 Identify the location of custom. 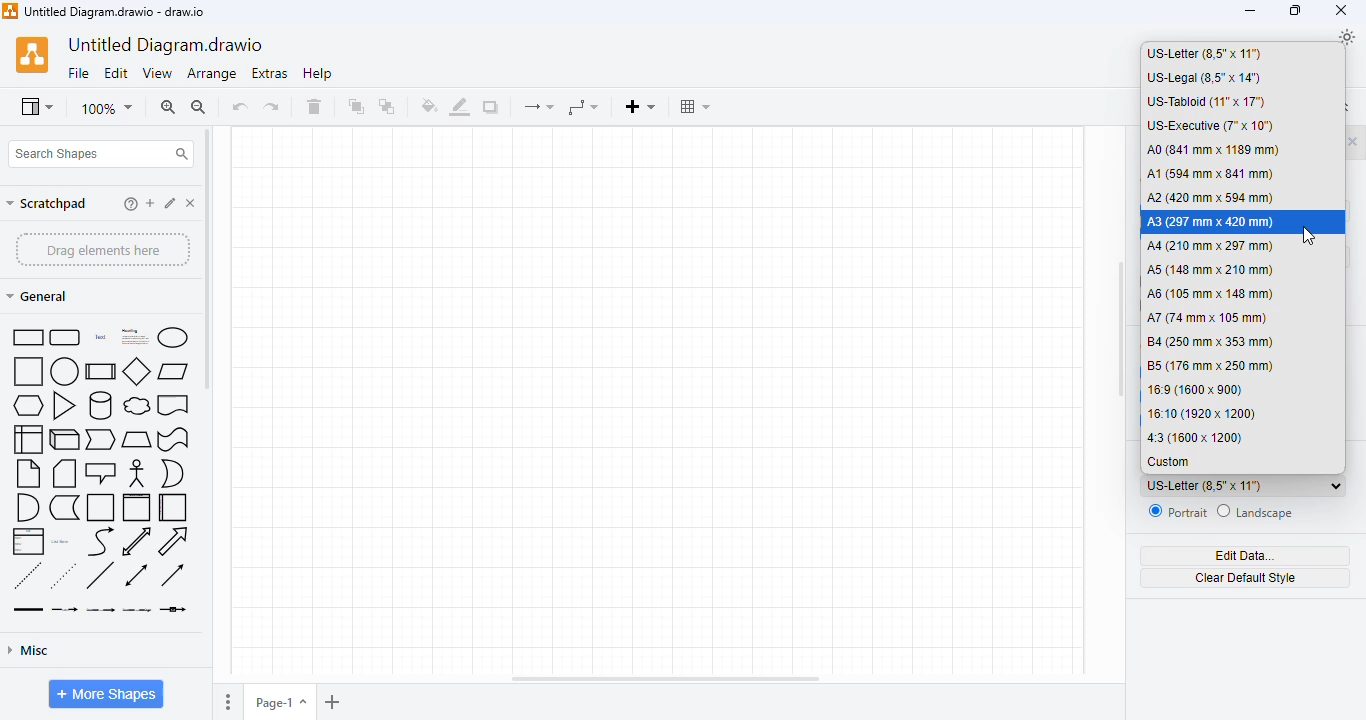
(1168, 462).